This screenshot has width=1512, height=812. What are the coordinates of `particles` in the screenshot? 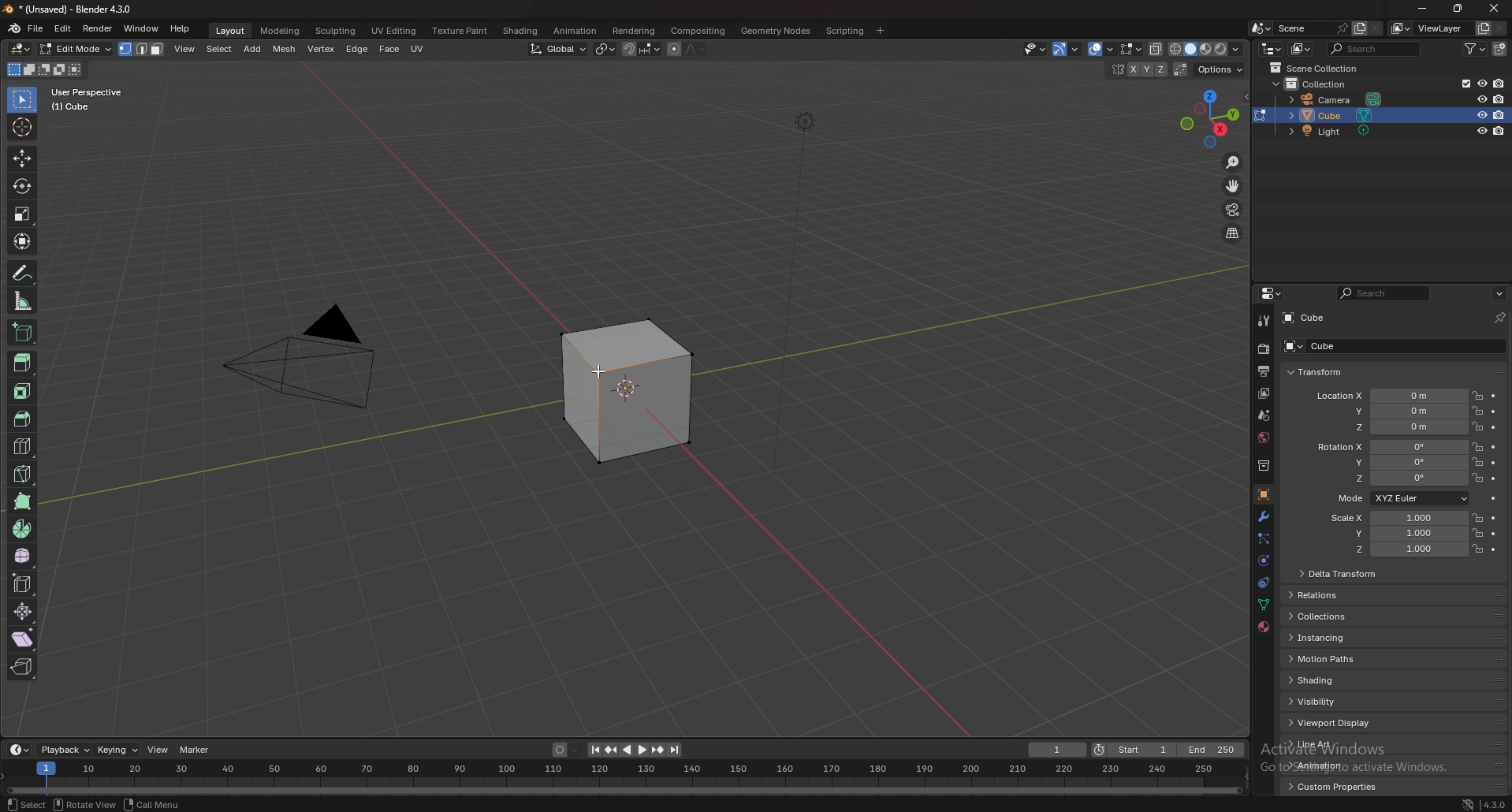 It's located at (1264, 540).